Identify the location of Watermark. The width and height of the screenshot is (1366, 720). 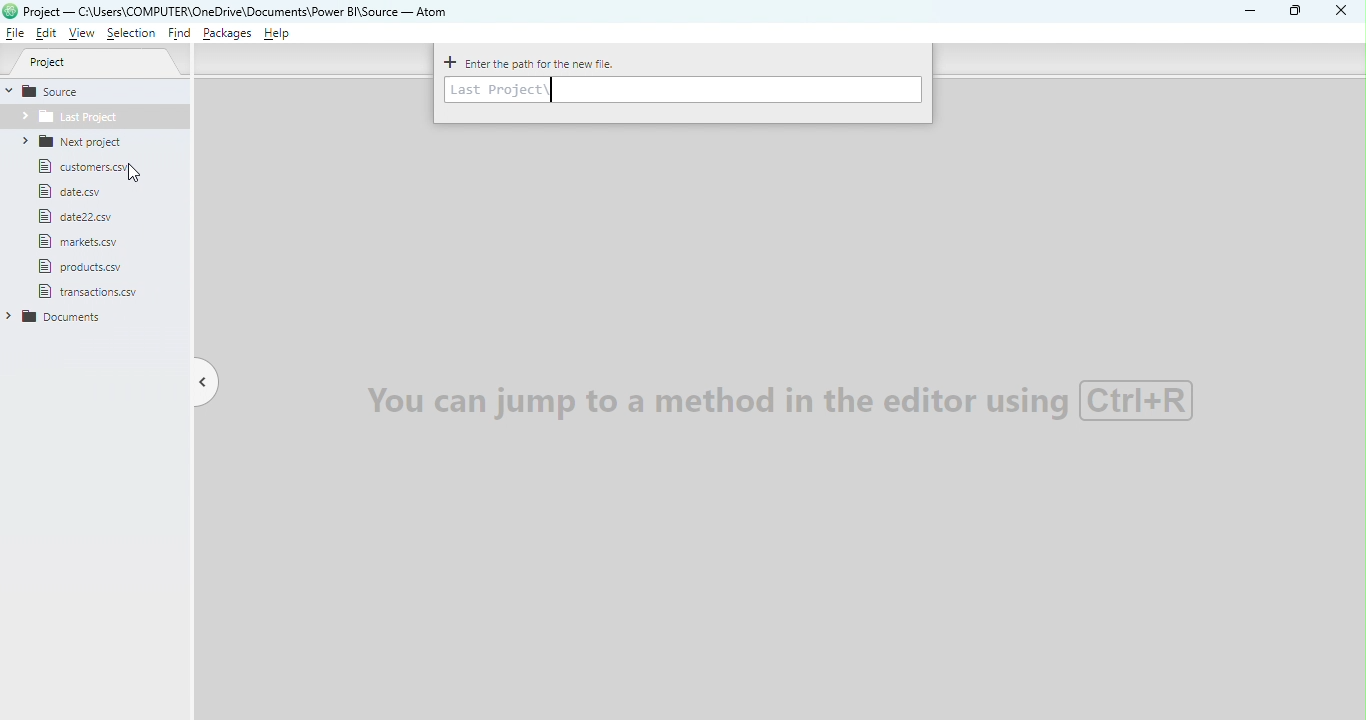
(774, 399).